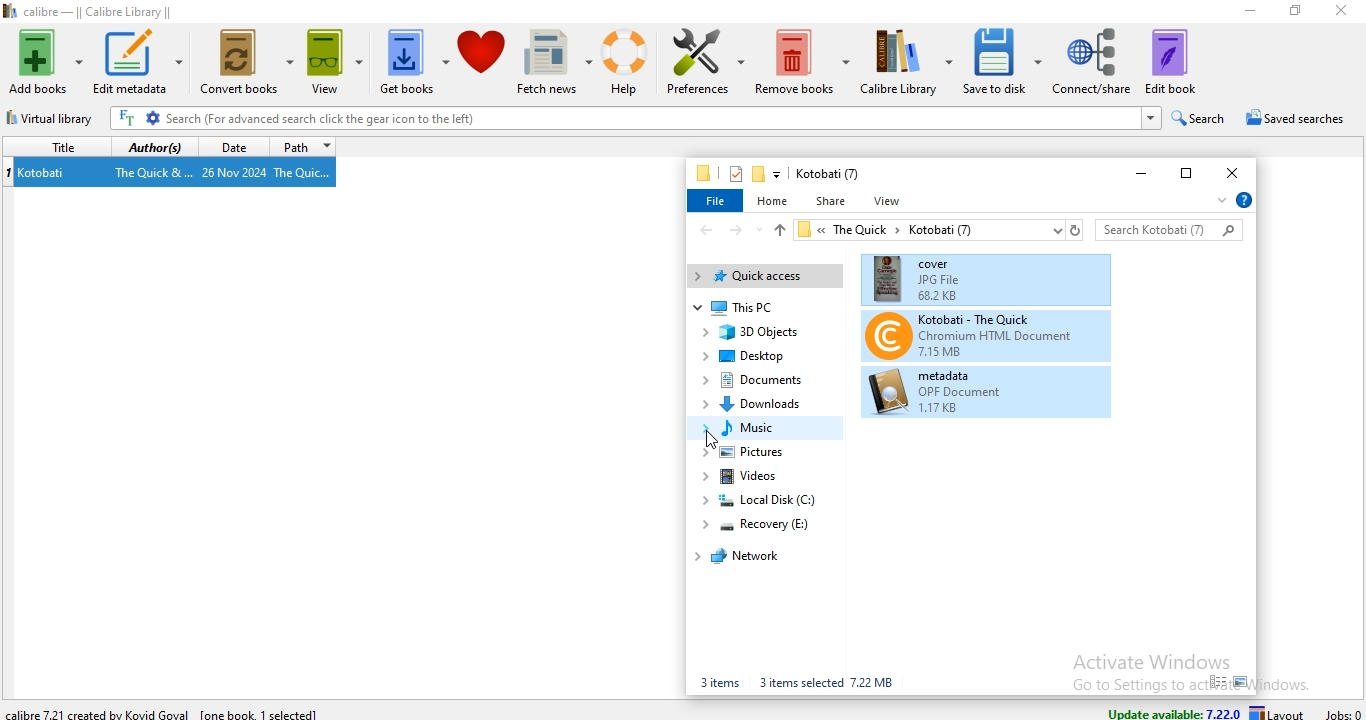 This screenshot has height=720, width=1366. What do you see at coordinates (624, 61) in the screenshot?
I see `help` at bounding box center [624, 61].